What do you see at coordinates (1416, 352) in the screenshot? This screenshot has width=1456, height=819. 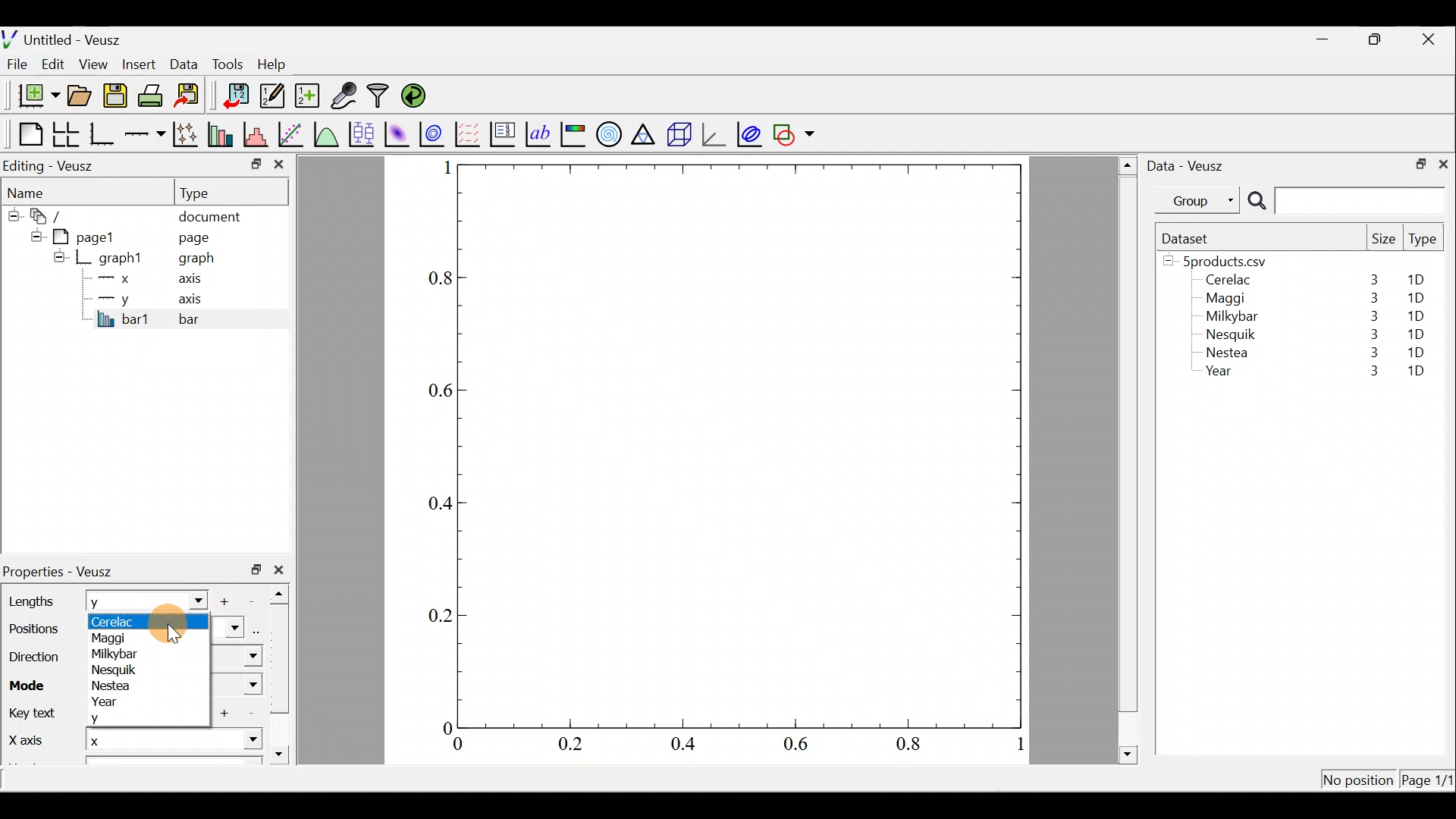 I see `1D` at bounding box center [1416, 352].